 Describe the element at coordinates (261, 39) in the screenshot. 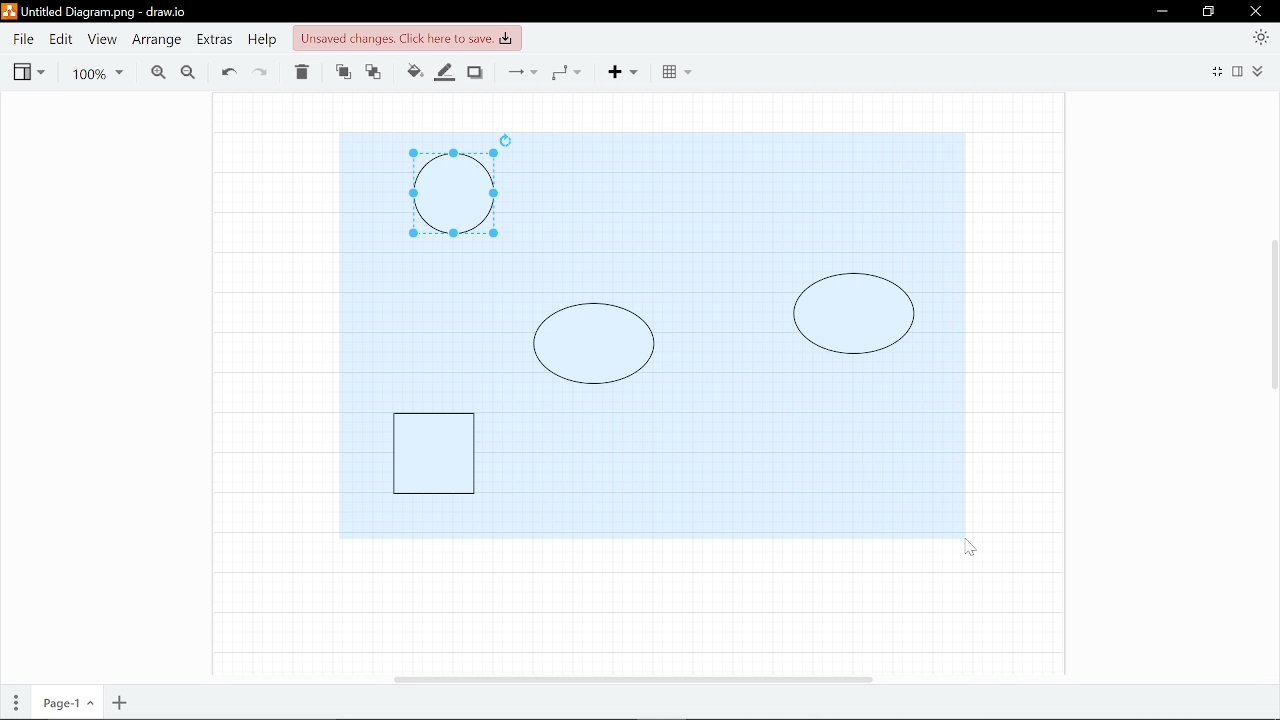

I see `Help` at that location.